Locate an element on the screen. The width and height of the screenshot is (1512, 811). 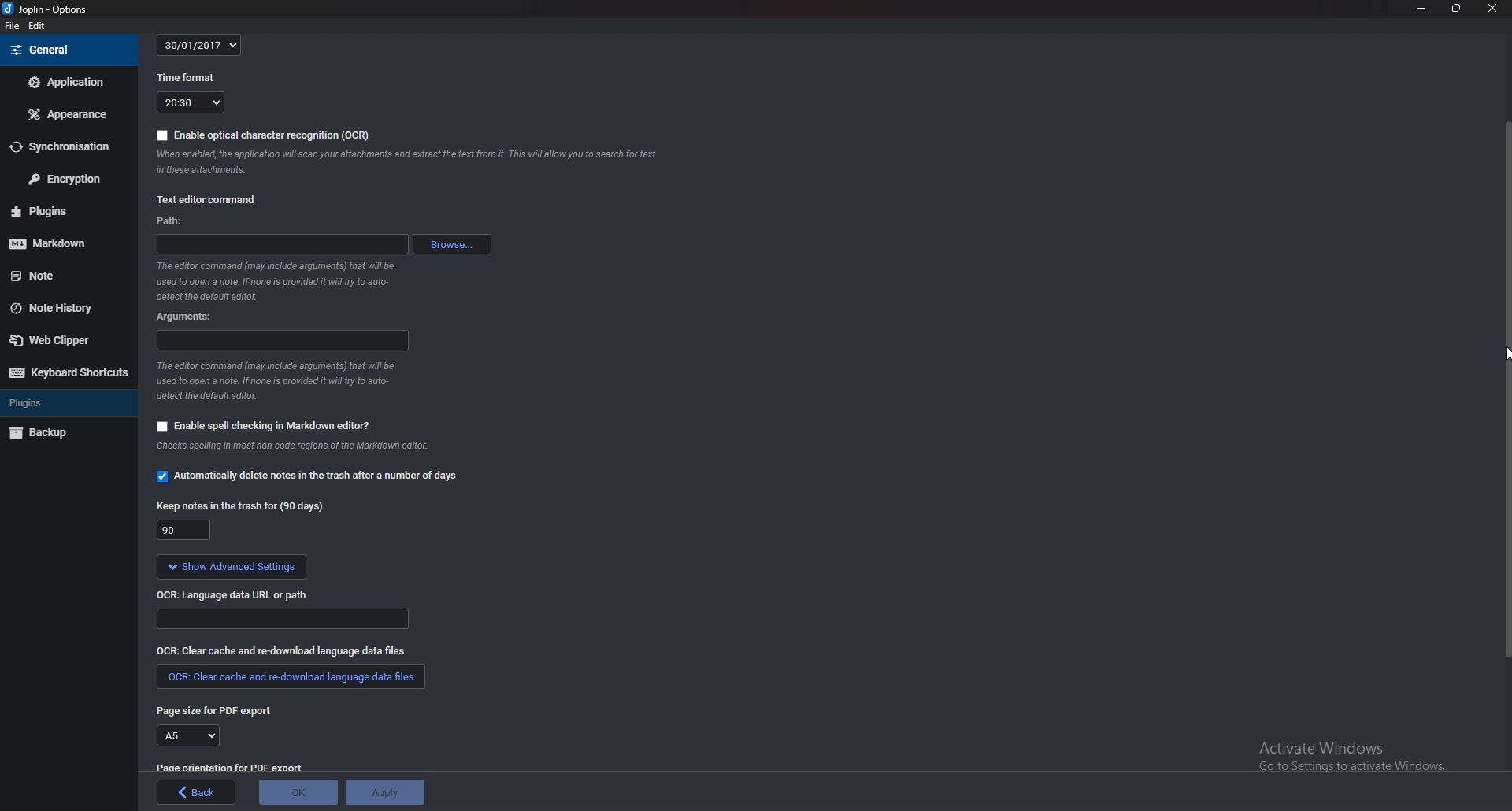
path is located at coordinates (177, 220).